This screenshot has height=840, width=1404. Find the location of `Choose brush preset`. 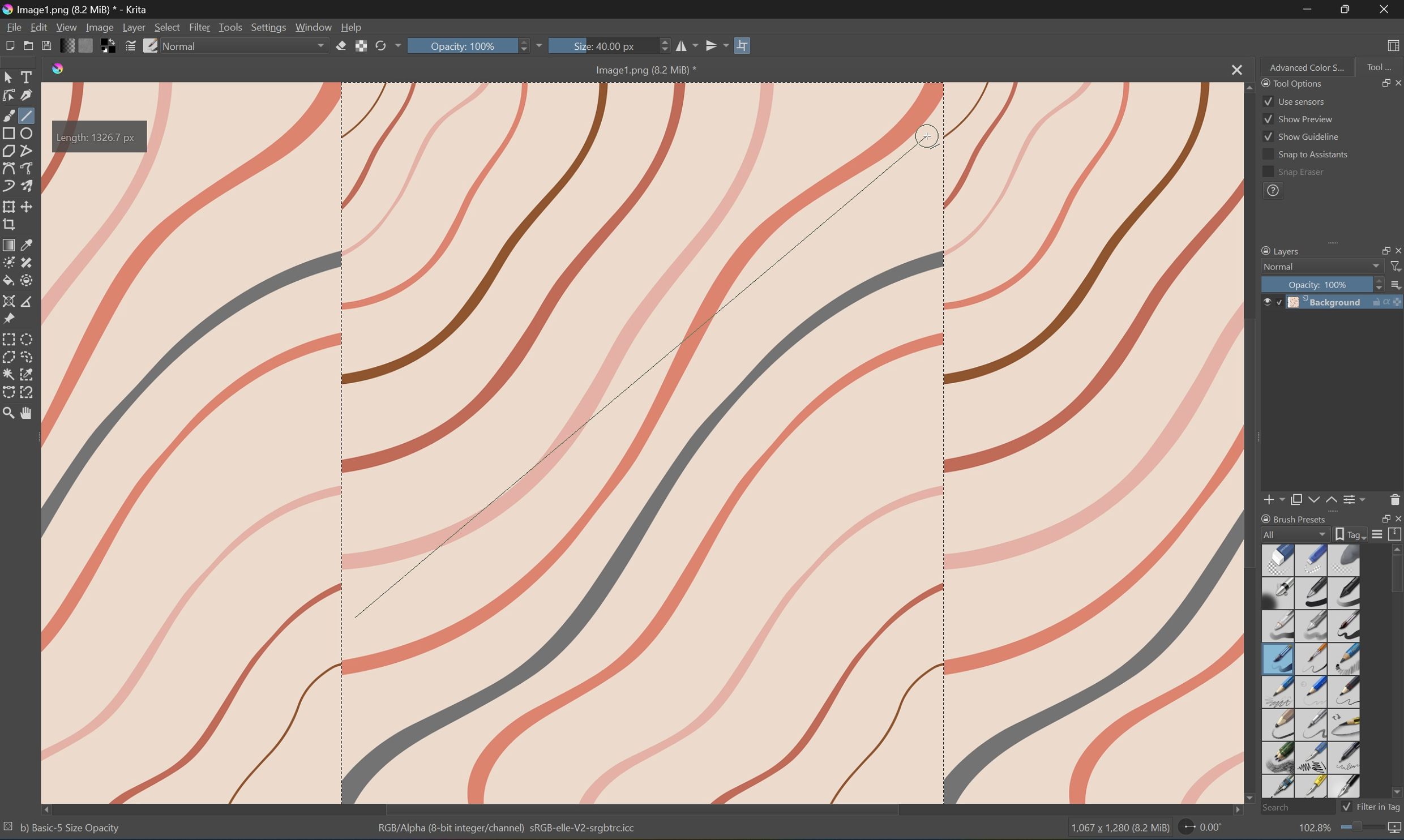

Choose brush preset is located at coordinates (151, 45).